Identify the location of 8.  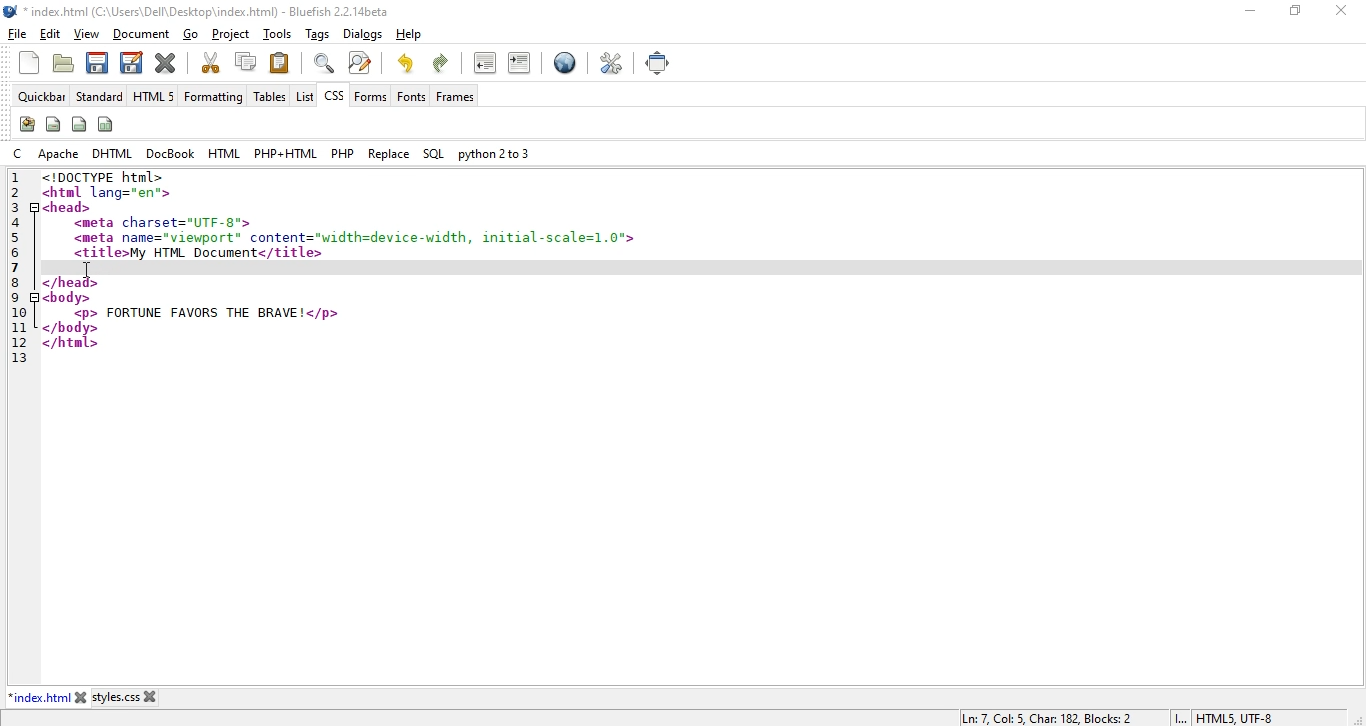
(16, 281).